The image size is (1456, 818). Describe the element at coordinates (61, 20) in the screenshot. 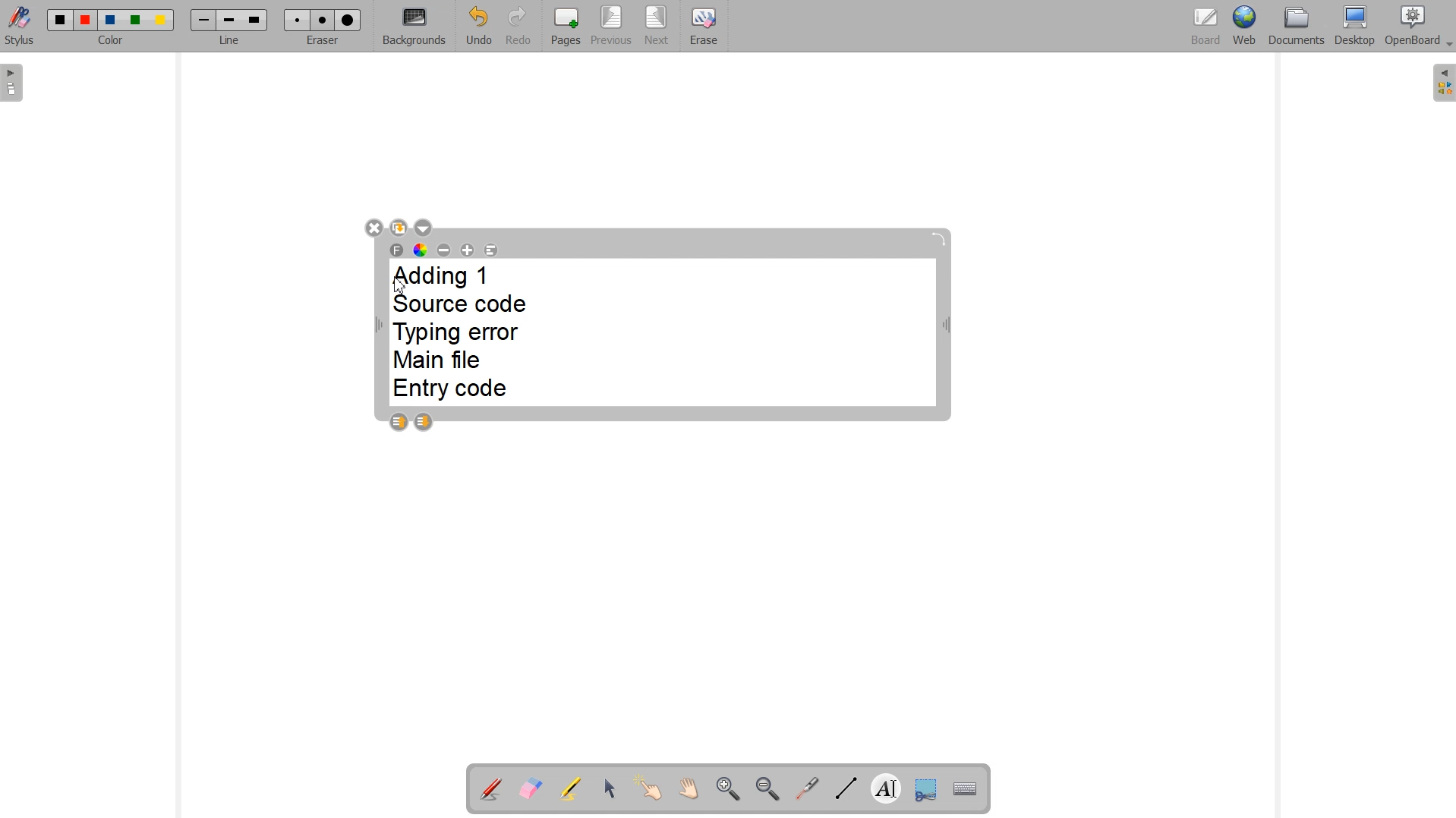

I see `Color 1` at that location.